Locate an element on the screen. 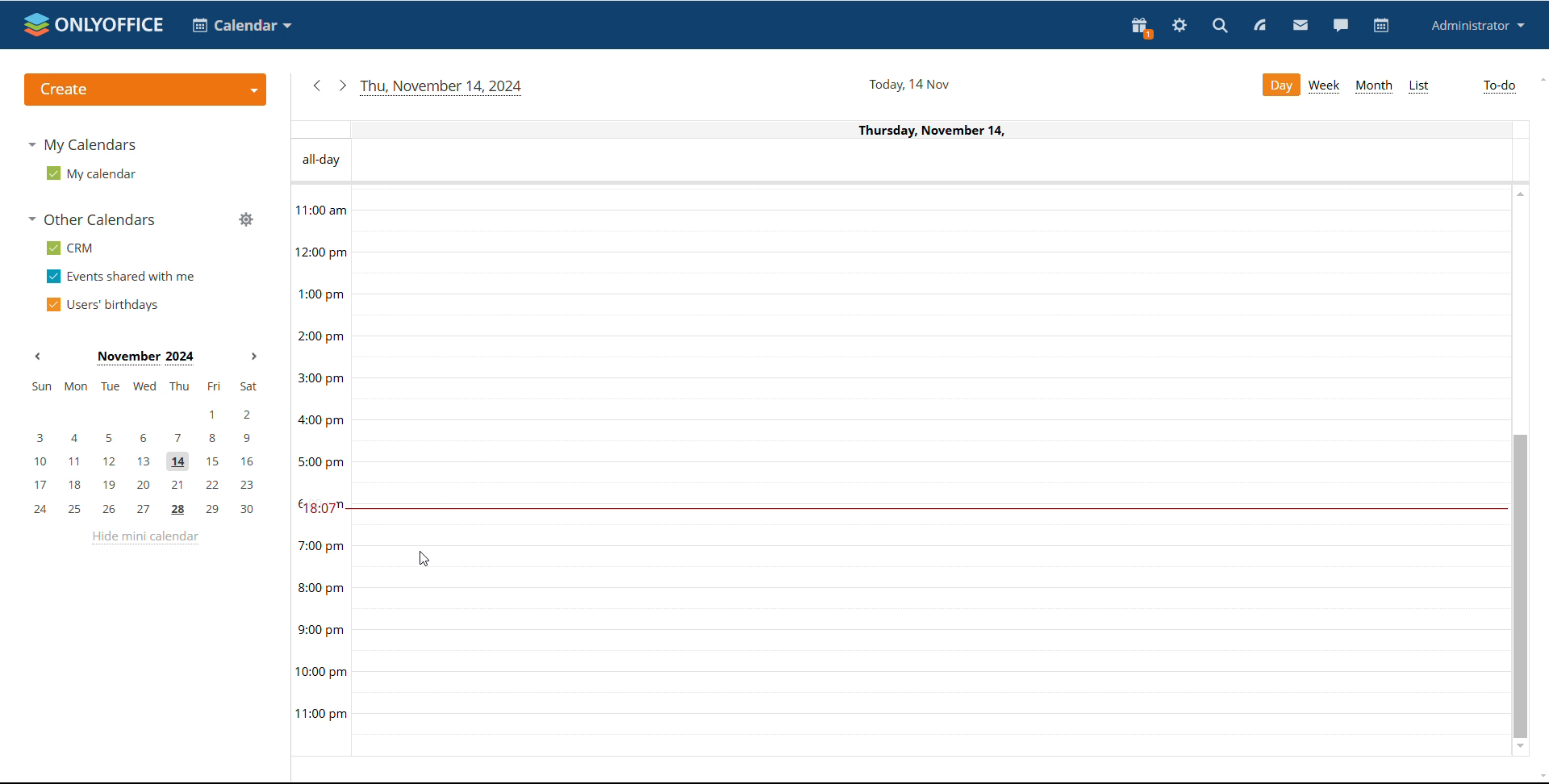 The image size is (1549, 784). scroll down is located at coordinates (1522, 749).